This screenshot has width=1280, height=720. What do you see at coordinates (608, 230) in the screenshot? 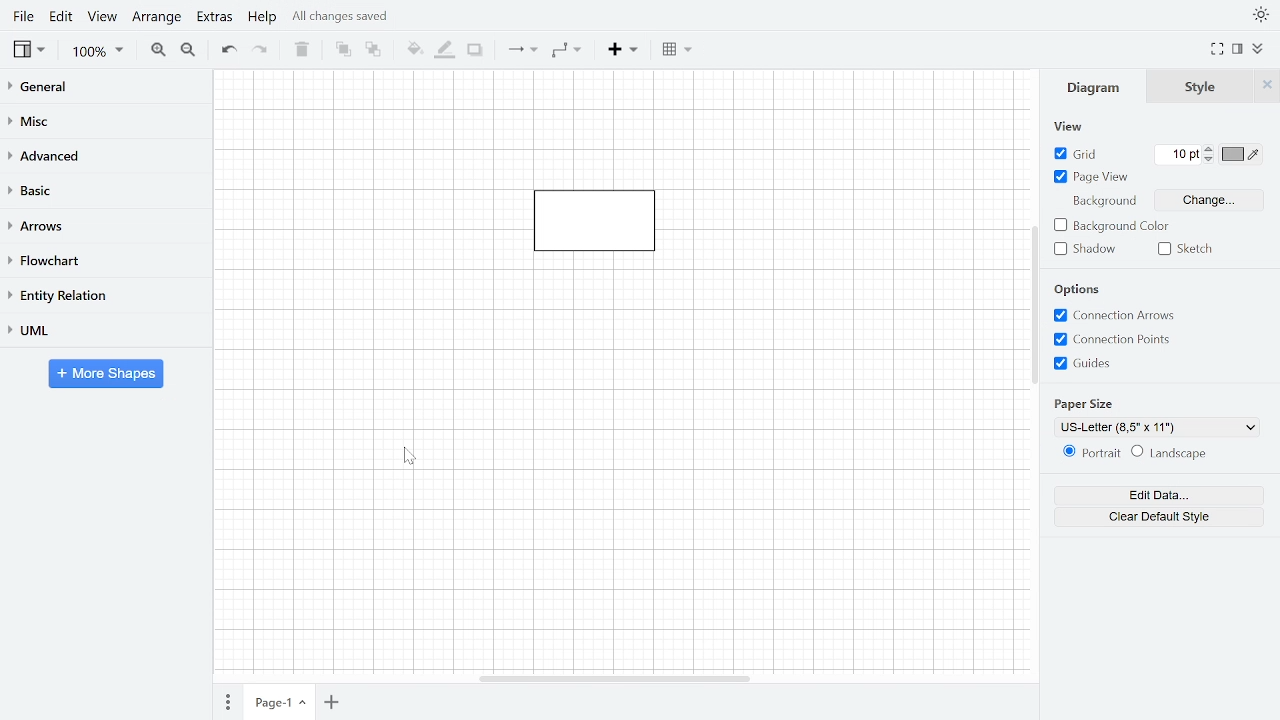
I see `Current diagram` at bounding box center [608, 230].